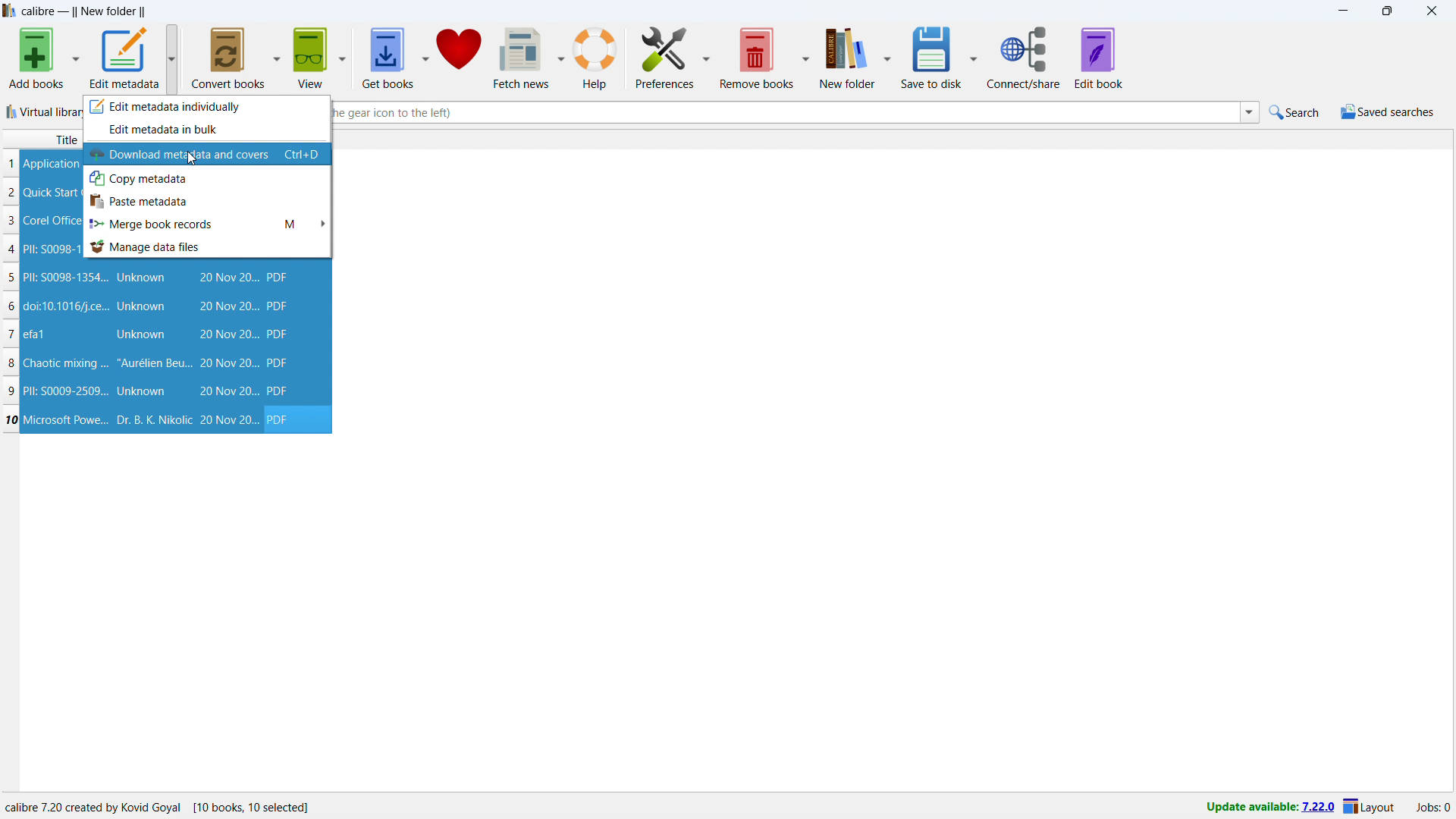 This screenshot has height=819, width=1456. I want to click on Unknown, so click(142, 335).